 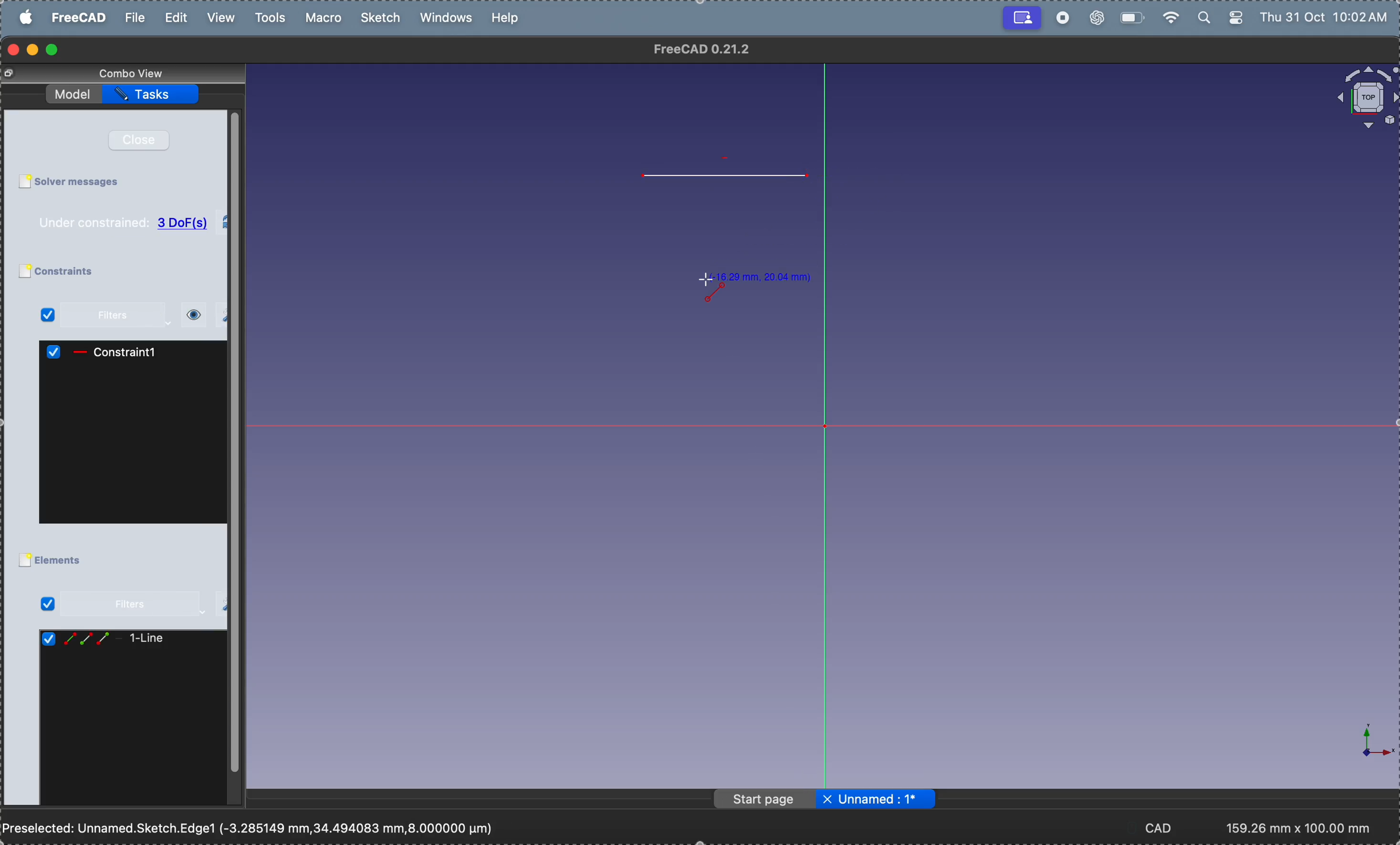 I want to click on combo view, so click(x=135, y=73).